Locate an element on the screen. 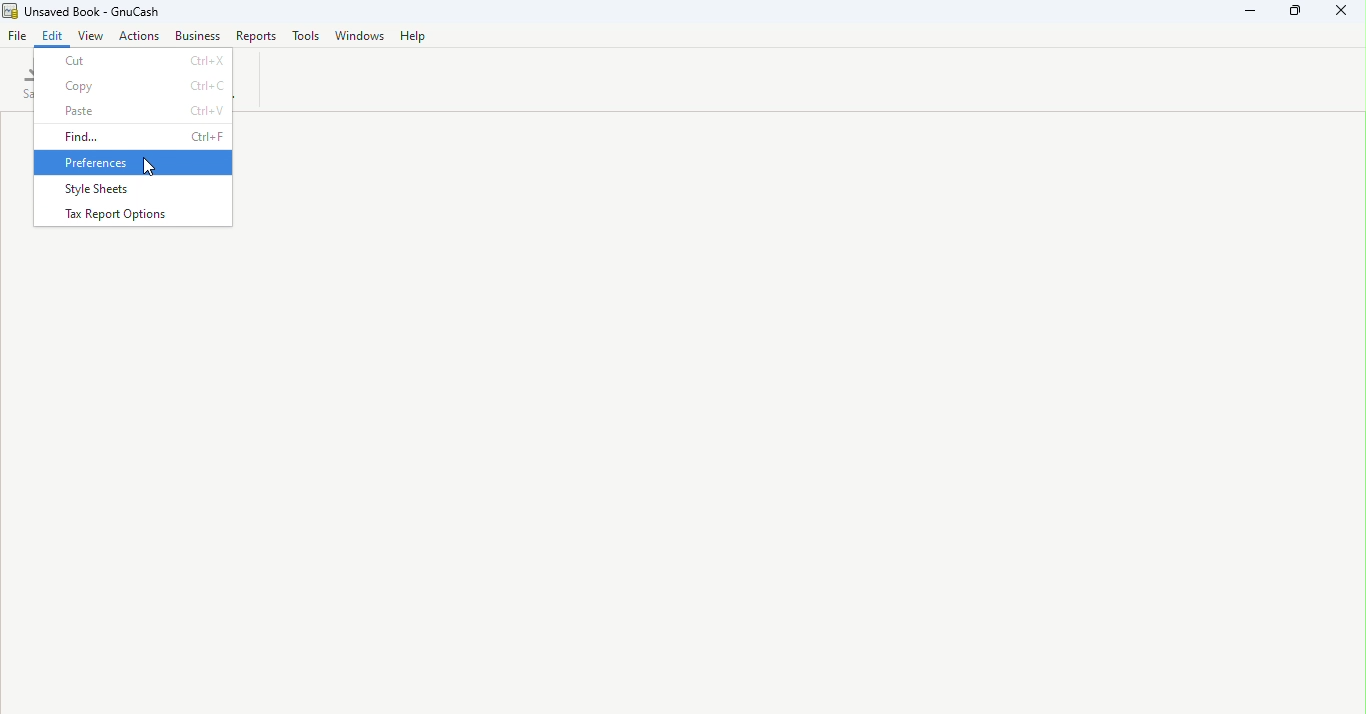  Reports is located at coordinates (259, 35).